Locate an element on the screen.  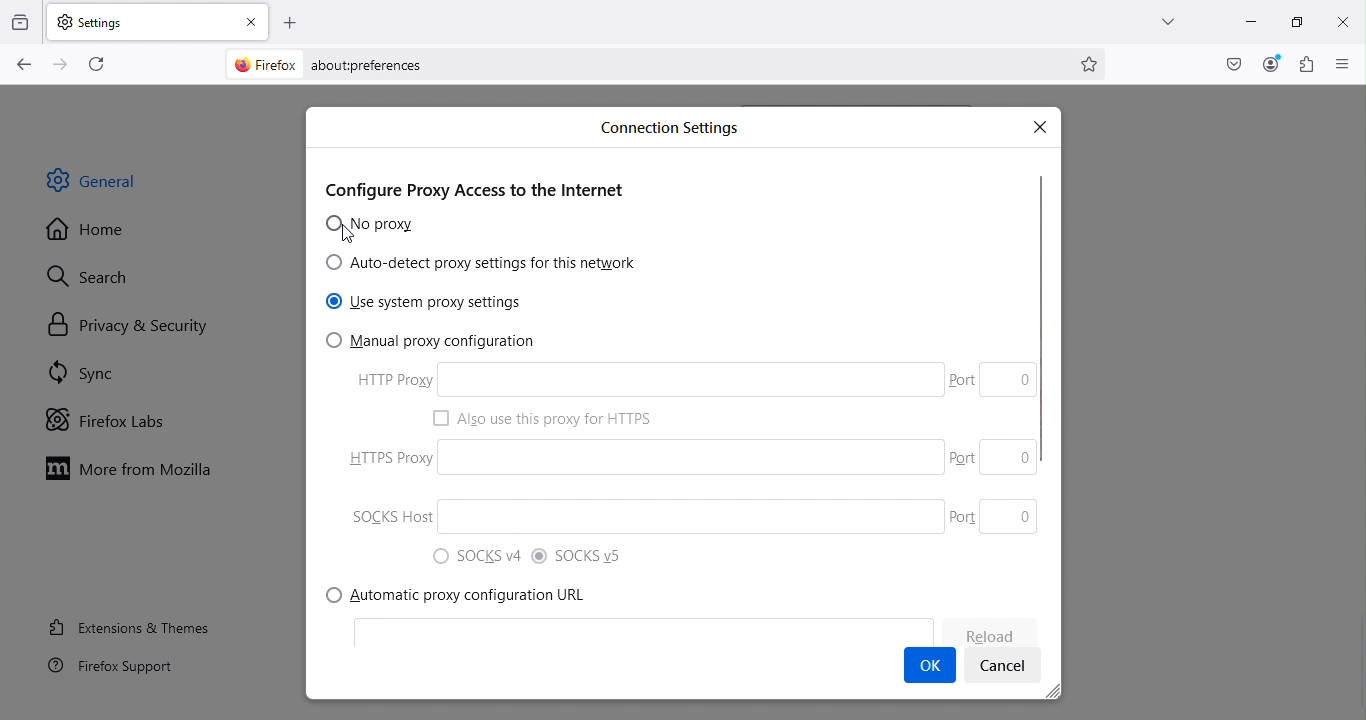
OK is located at coordinates (931, 667).